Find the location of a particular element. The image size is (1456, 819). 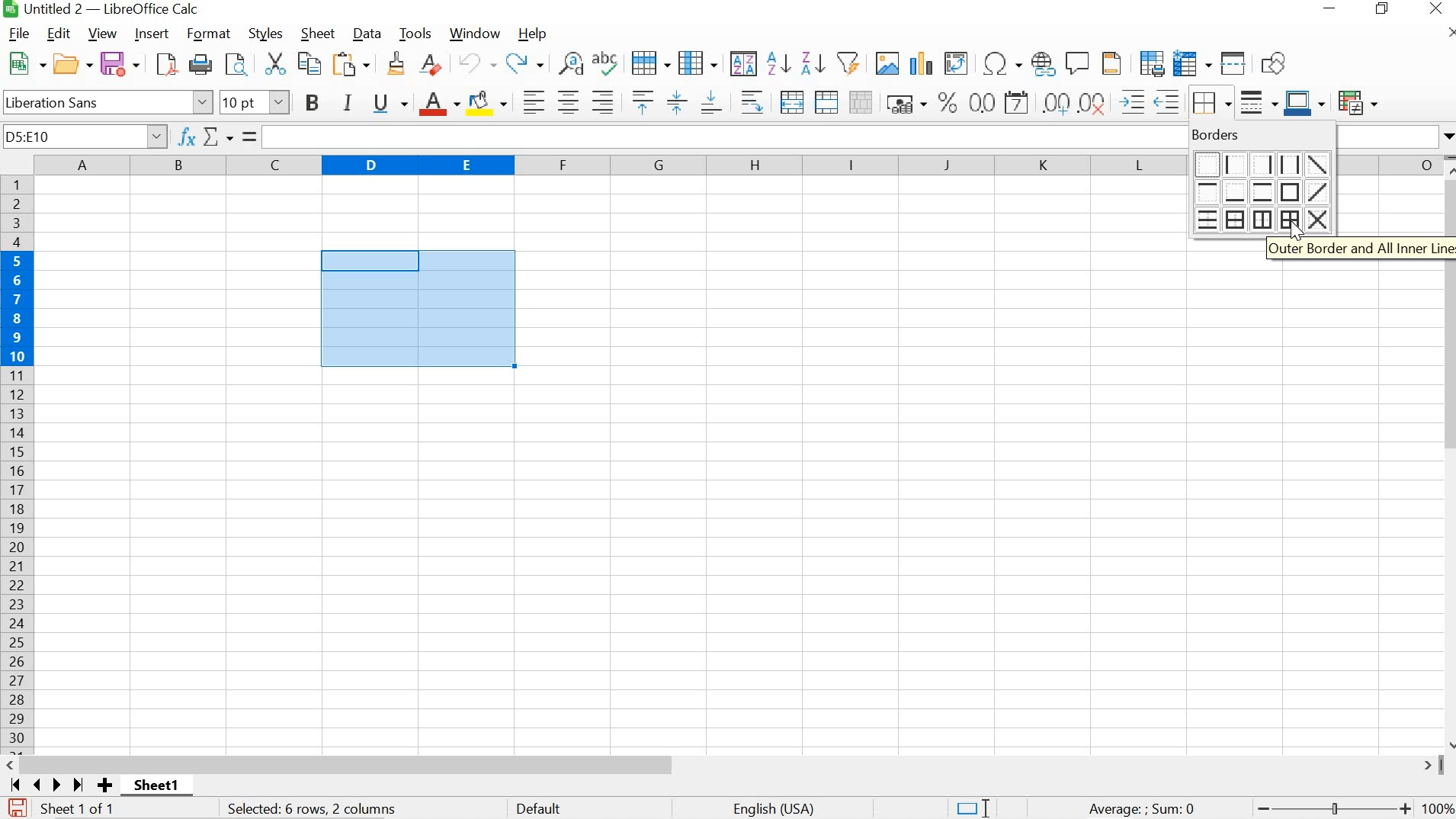

outer border and horizontal lines is located at coordinates (1236, 218).